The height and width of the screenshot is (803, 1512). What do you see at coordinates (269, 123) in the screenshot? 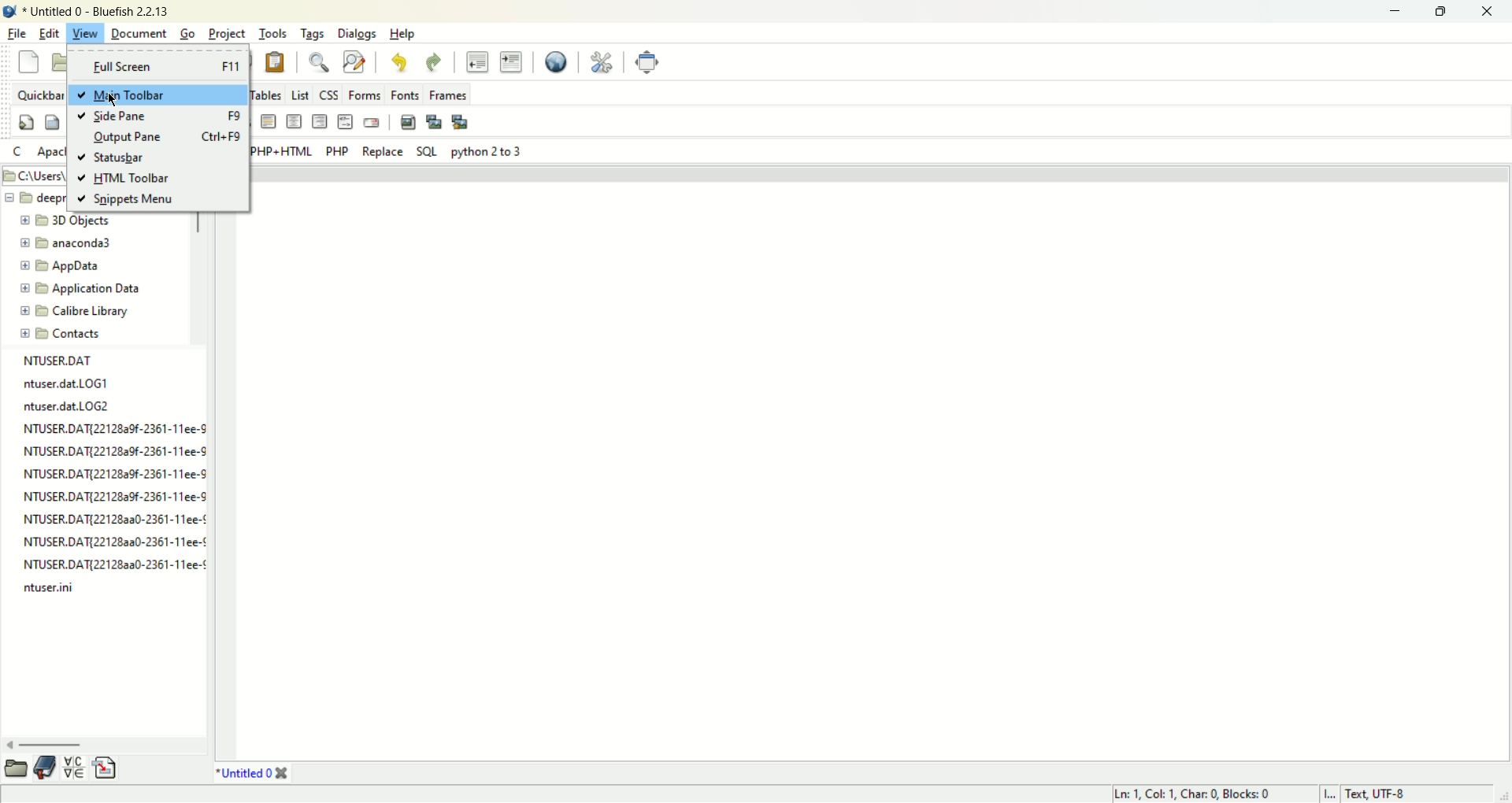
I see `horizontal rule` at bounding box center [269, 123].